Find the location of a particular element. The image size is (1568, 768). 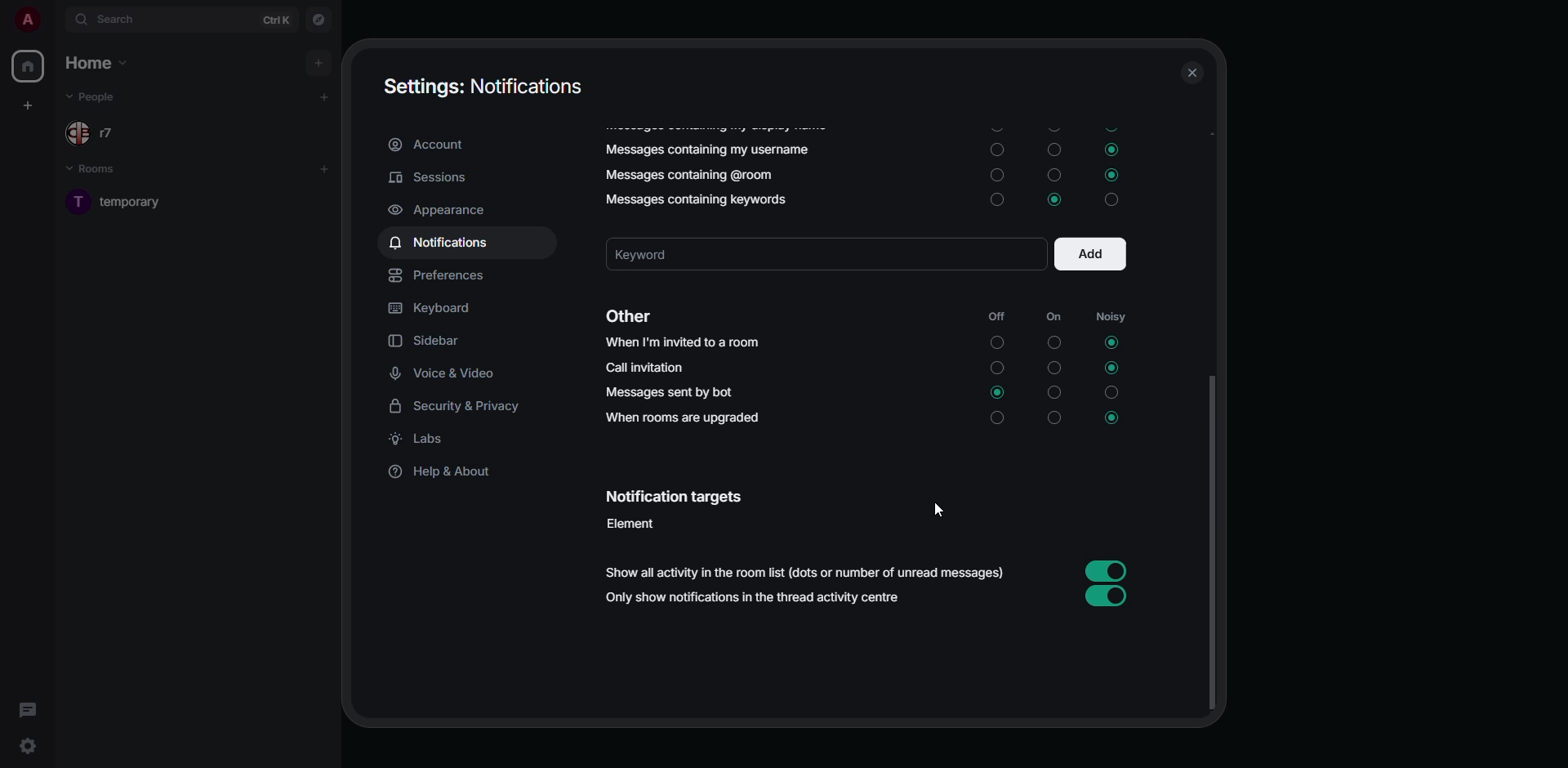

settings is located at coordinates (27, 745).